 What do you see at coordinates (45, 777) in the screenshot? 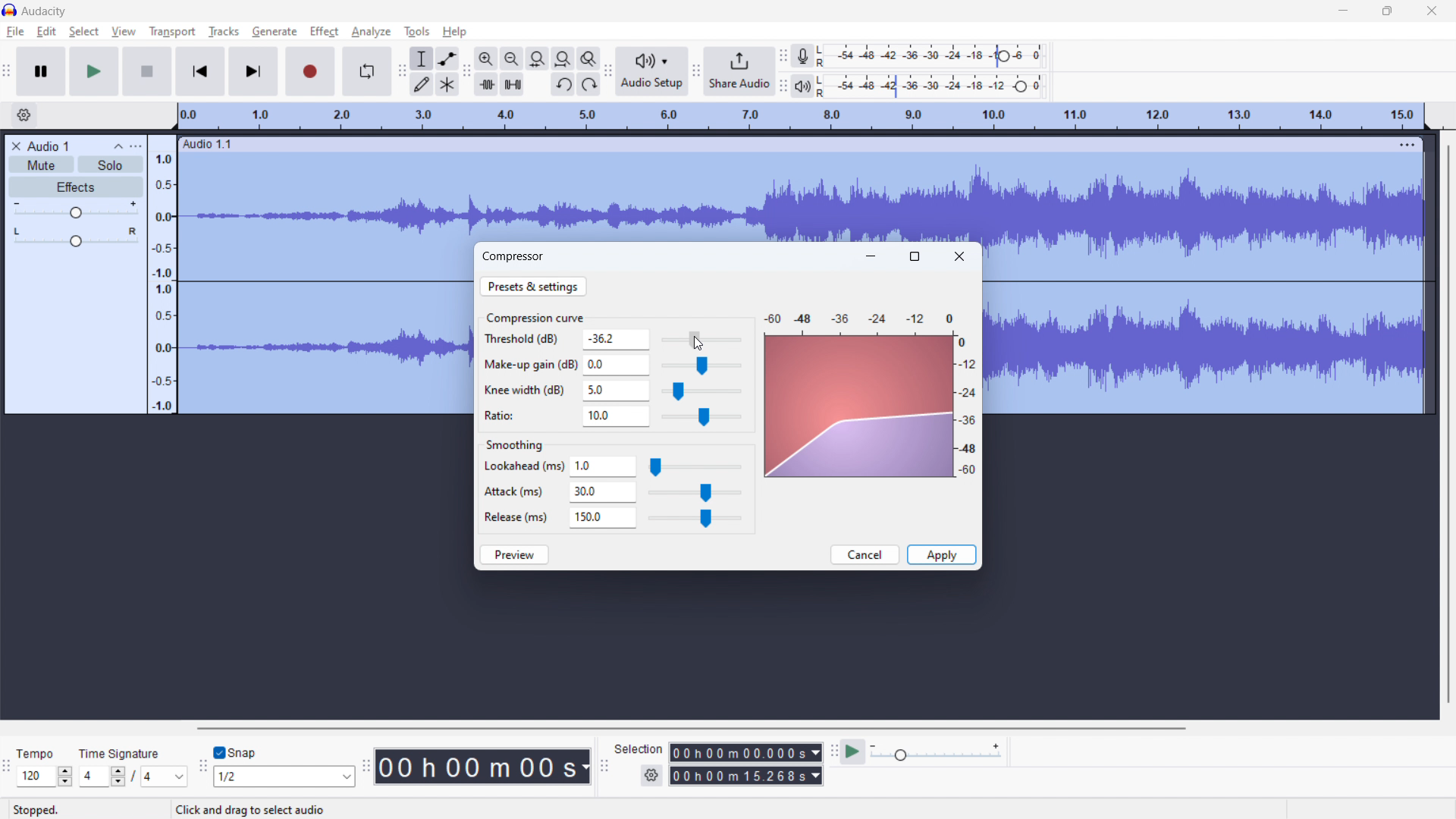
I see `120 (select tempo)` at bounding box center [45, 777].